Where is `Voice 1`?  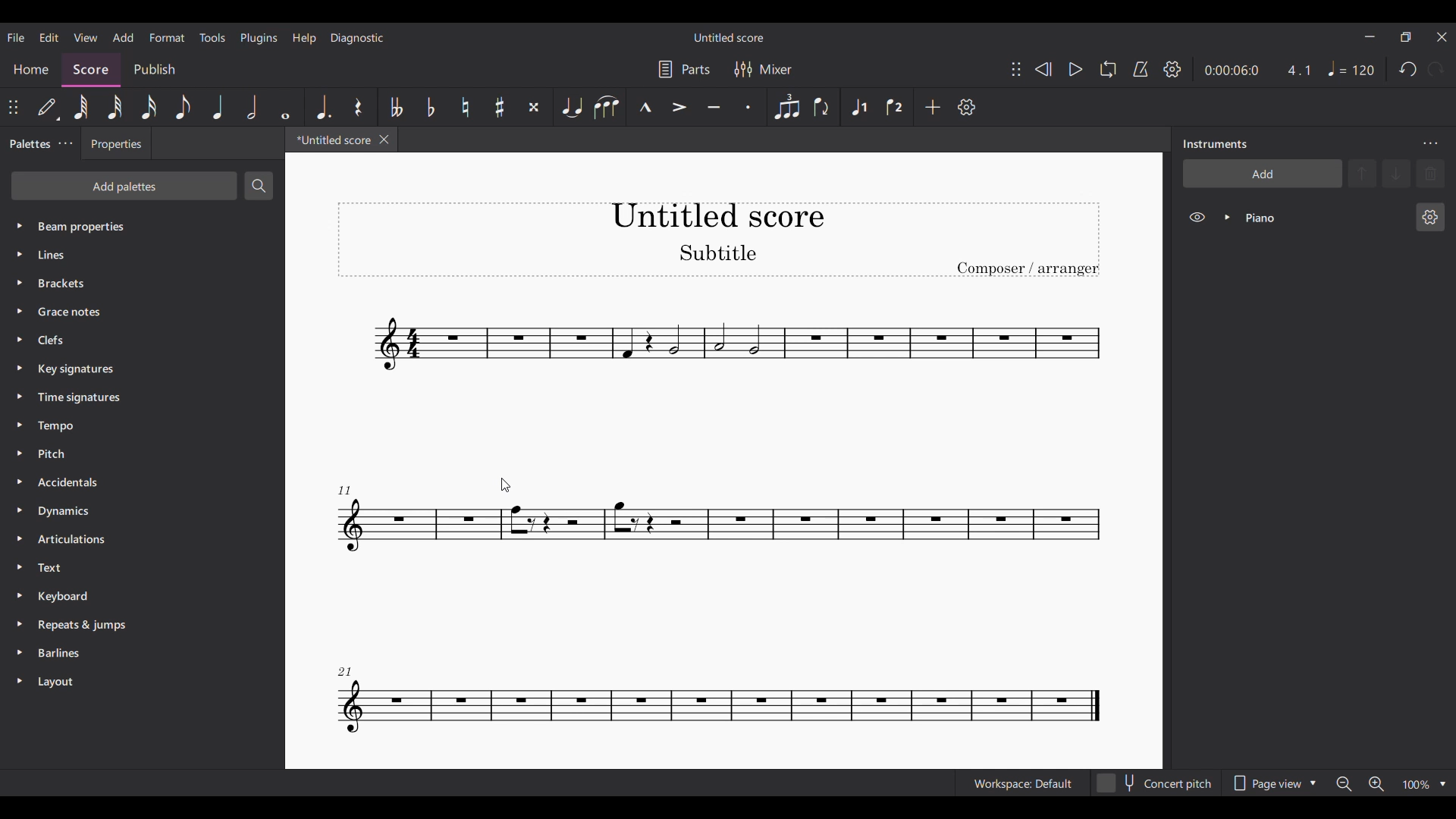 Voice 1 is located at coordinates (859, 107).